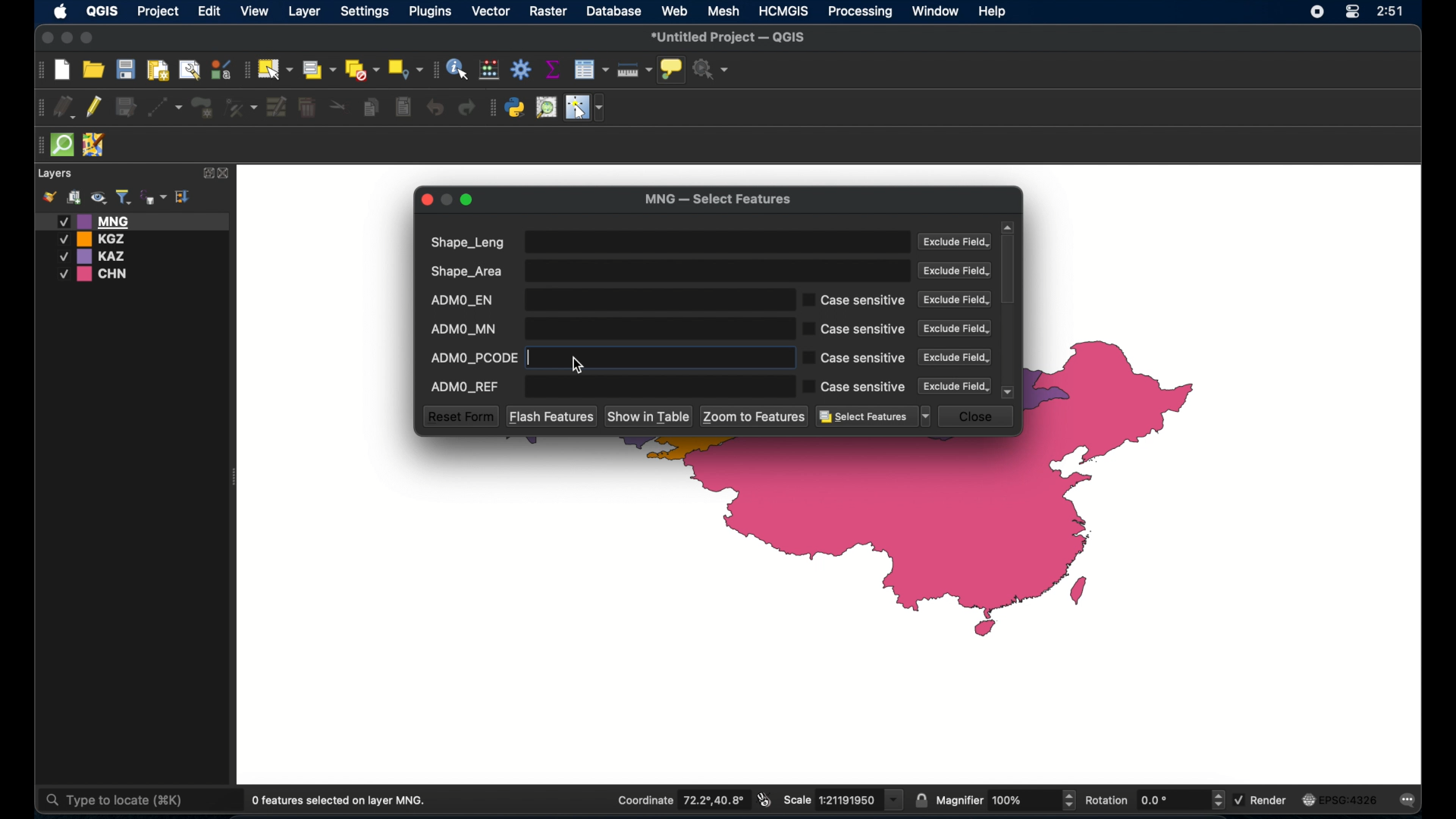  Describe the element at coordinates (606, 300) in the screenshot. I see `ADMO_EN` at that location.